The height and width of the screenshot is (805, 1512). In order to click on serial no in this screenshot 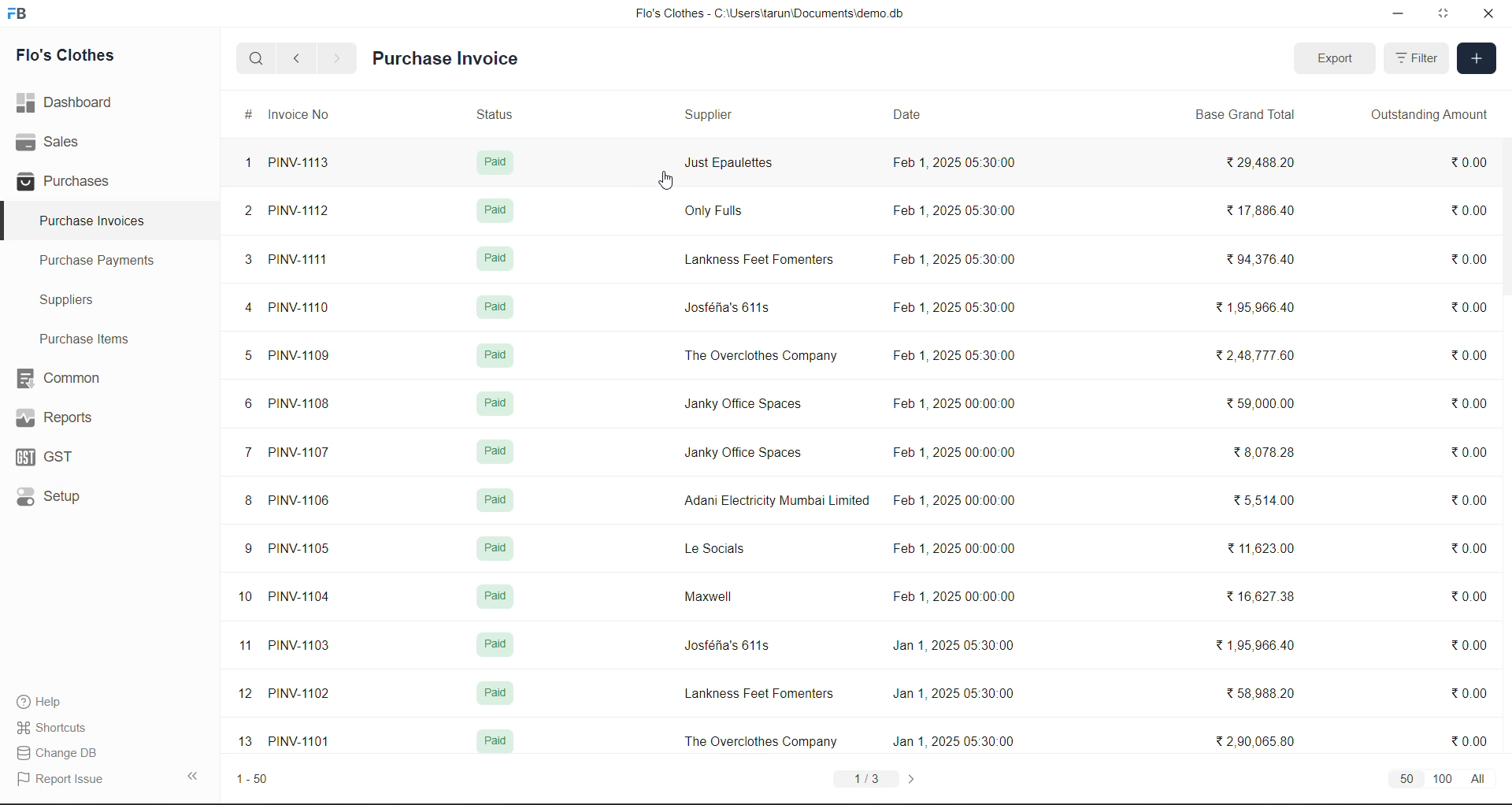, I will do `click(244, 454)`.